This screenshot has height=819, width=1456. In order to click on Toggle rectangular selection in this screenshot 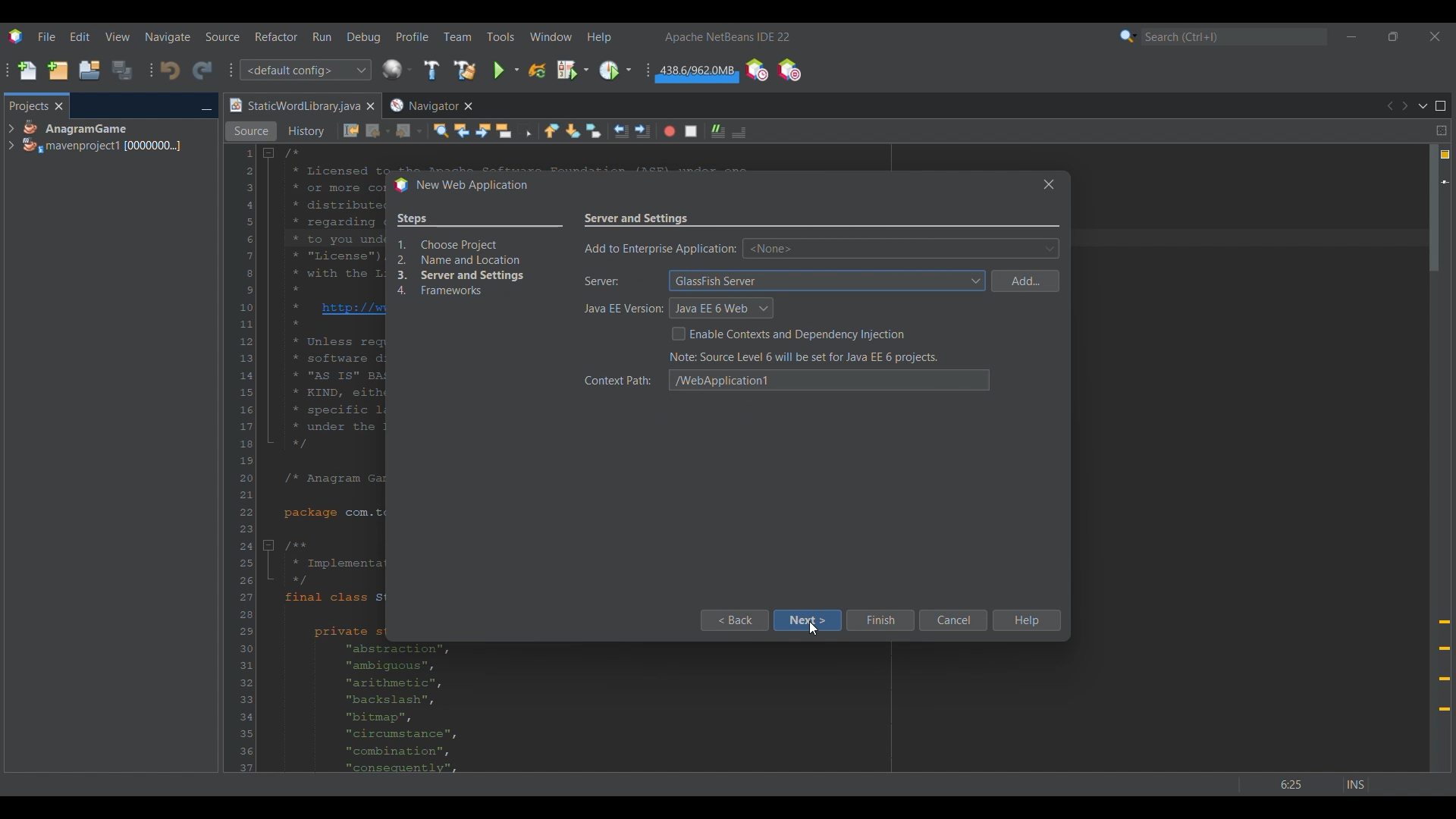, I will do `click(525, 130)`.